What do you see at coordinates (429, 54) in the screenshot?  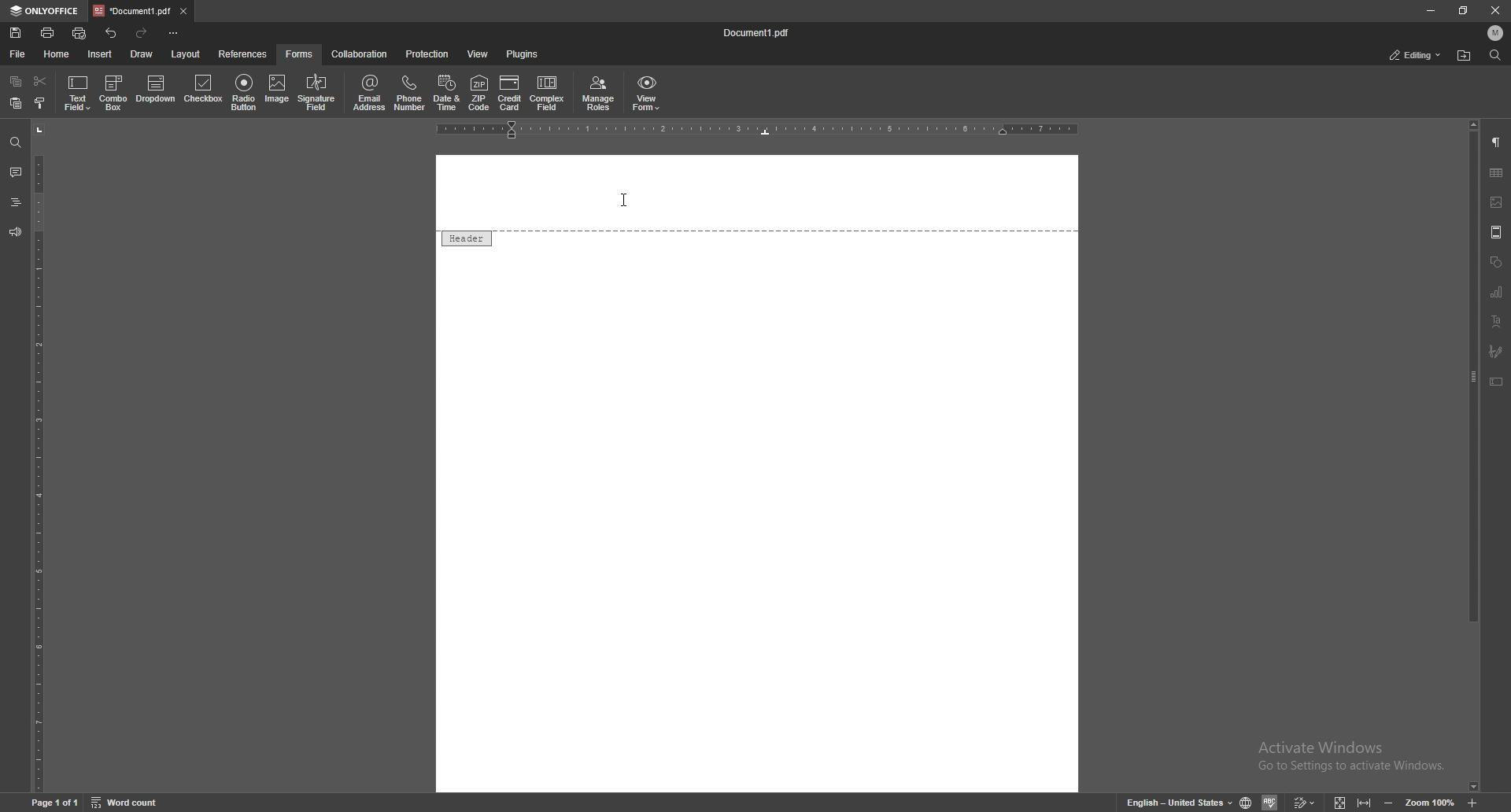 I see `protection` at bounding box center [429, 54].